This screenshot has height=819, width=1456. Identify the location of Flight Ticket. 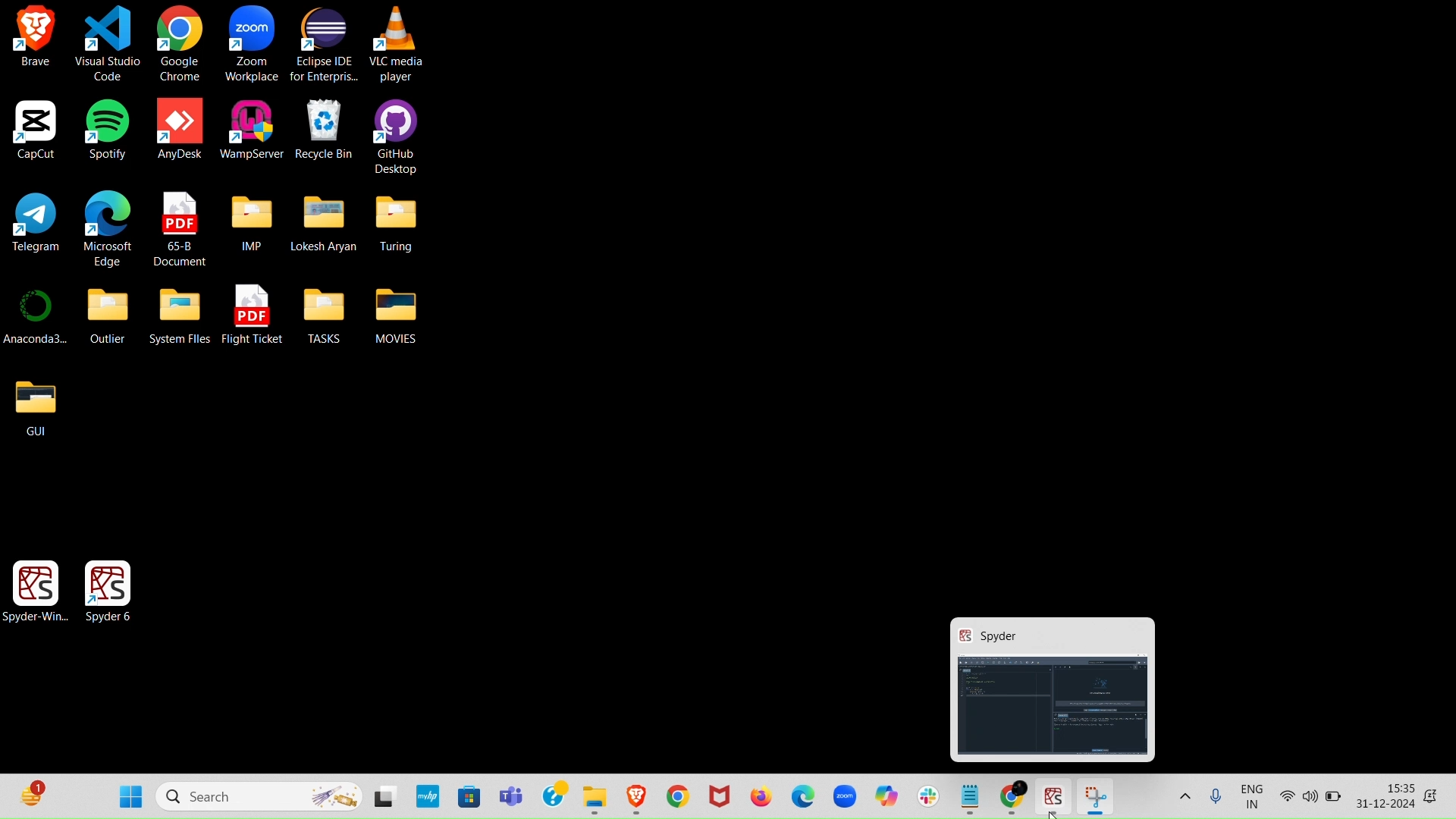
(255, 315).